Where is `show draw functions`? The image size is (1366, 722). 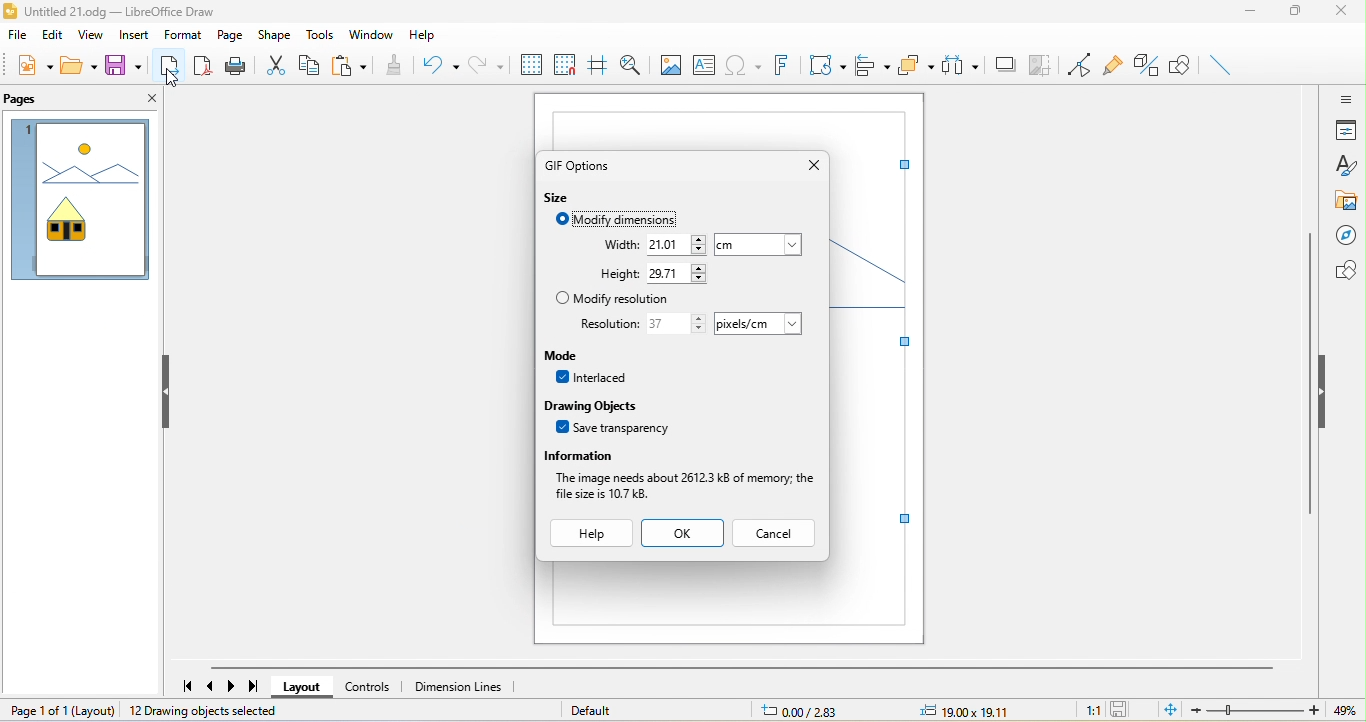 show draw functions is located at coordinates (1182, 67).